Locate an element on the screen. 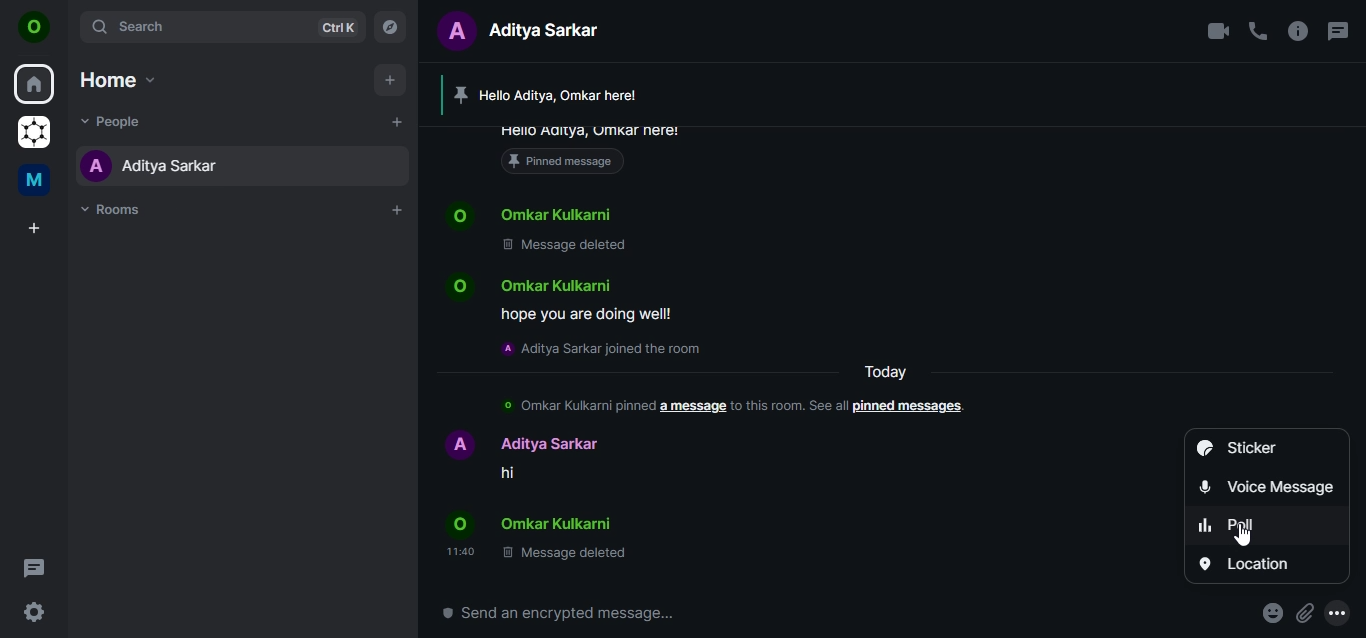 This screenshot has height=638, width=1366. attachments is located at coordinates (1305, 614).